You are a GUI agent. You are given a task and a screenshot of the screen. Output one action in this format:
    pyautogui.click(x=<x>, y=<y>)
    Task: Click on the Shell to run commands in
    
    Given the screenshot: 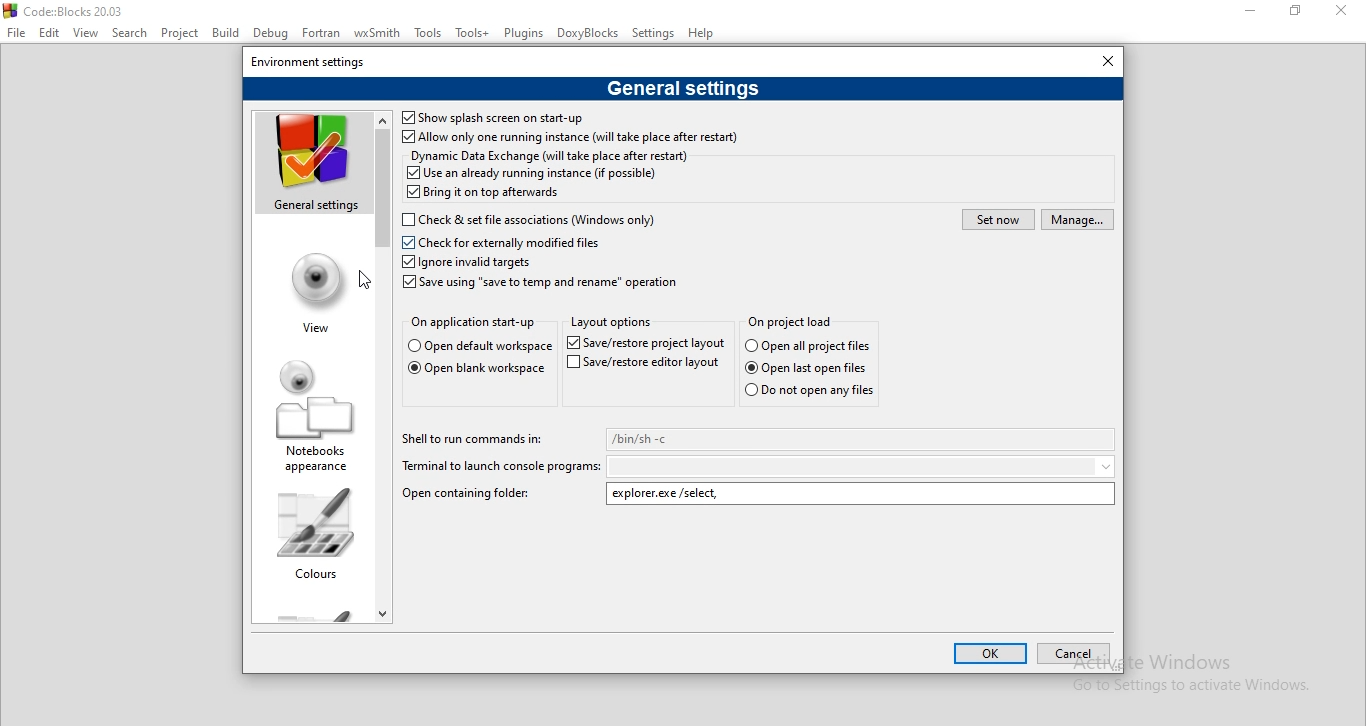 What is the action you would take?
    pyautogui.click(x=476, y=439)
    